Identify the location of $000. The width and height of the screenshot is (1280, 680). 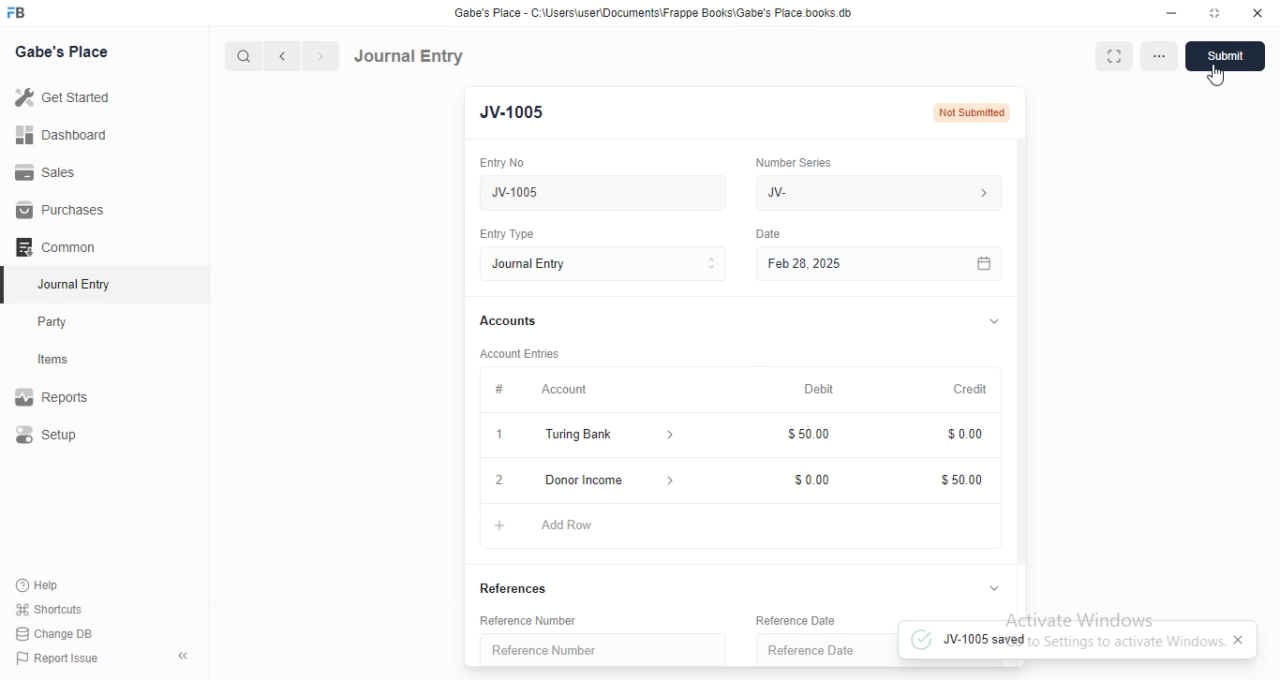
(967, 435).